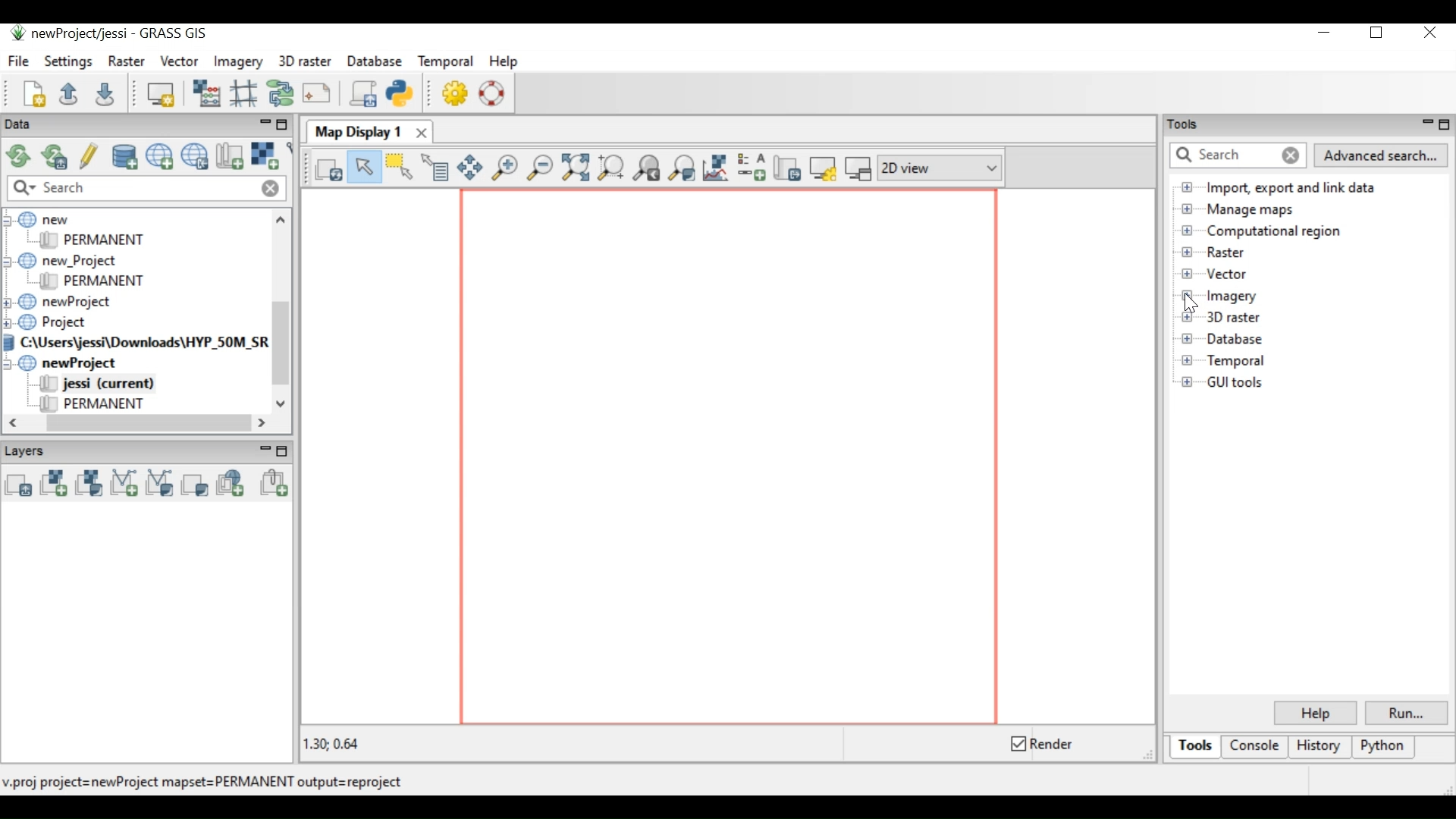 Image resolution: width=1456 pixels, height=819 pixels. What do you see at coordinates (823, 168) in the screenshot?
I see `Map Display setting` at bounding box center [823, 168].